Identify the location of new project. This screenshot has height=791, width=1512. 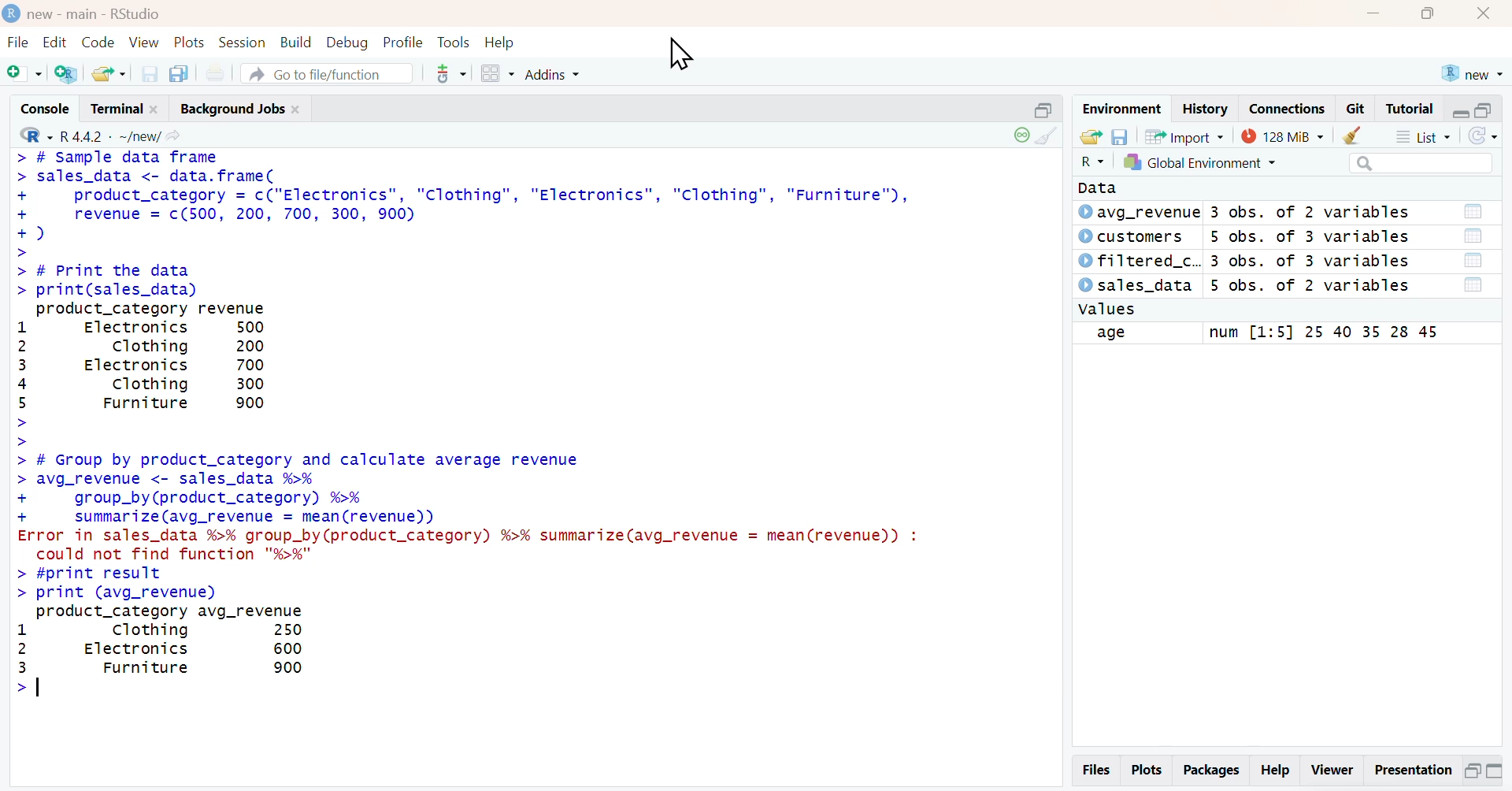
(1471, 73).